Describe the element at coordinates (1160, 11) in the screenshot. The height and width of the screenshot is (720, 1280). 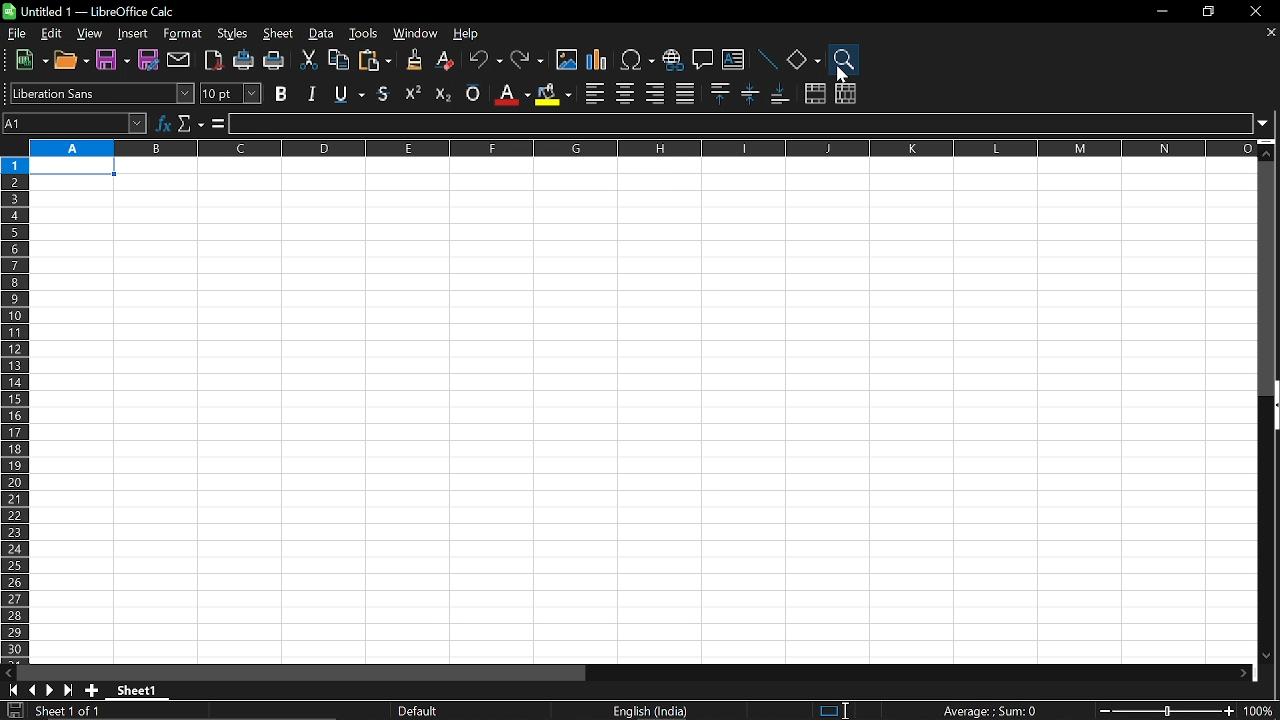
I see `minimize` at that location.